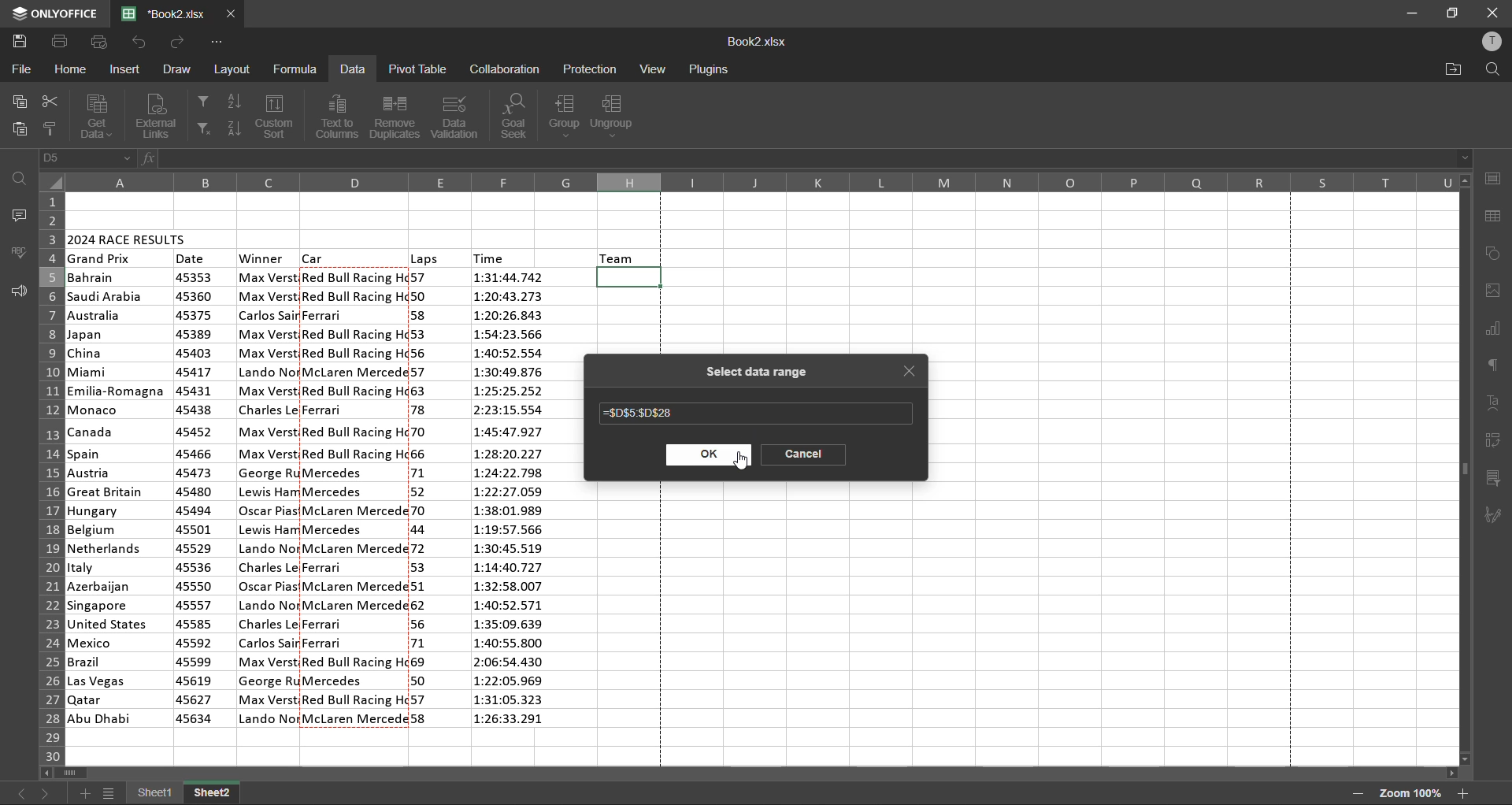 The width and height of the screenshot is (1512, 805). I want to click on profile, so click(1491, 44).